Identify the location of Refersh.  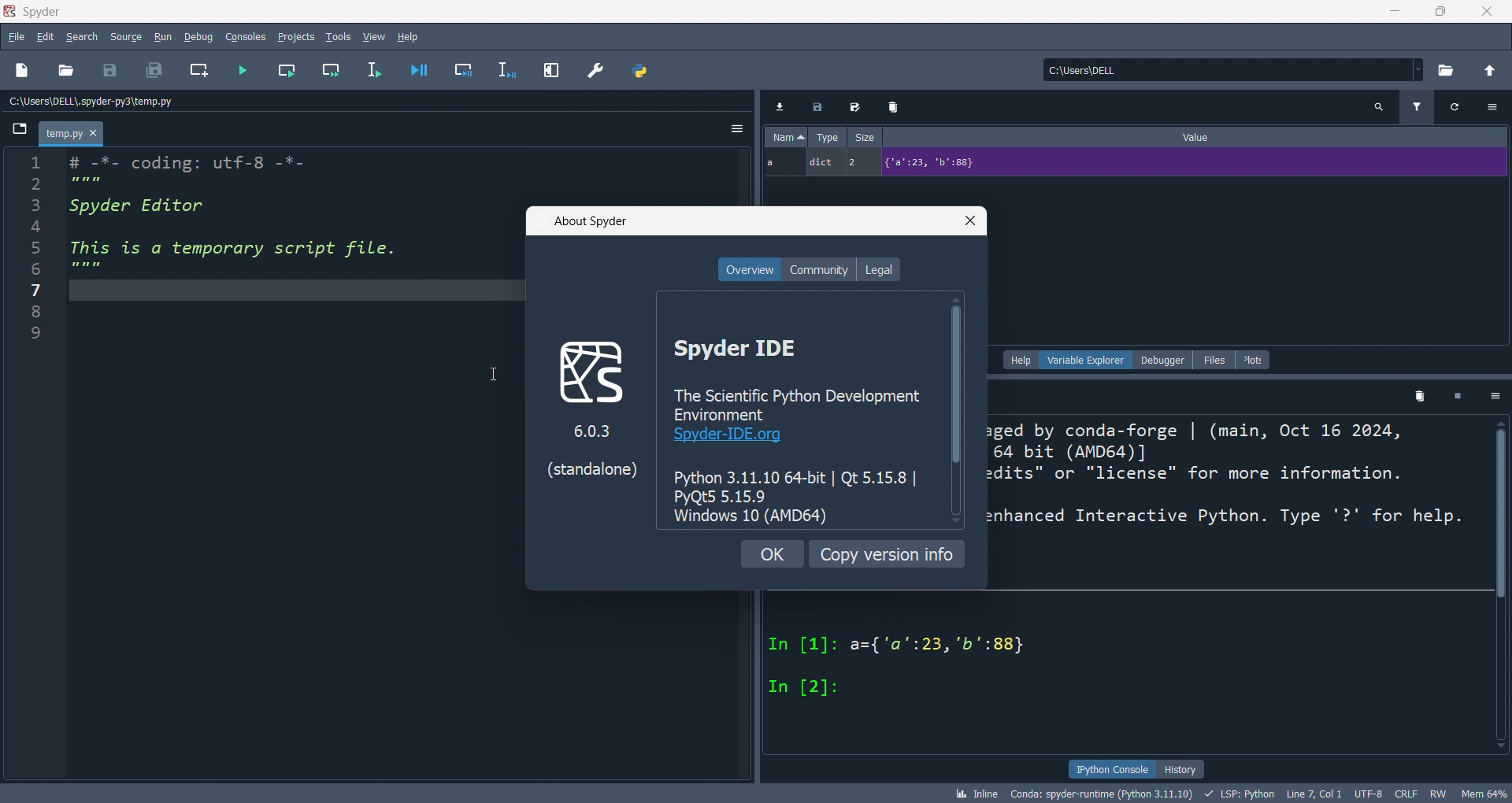
(1456, 108).